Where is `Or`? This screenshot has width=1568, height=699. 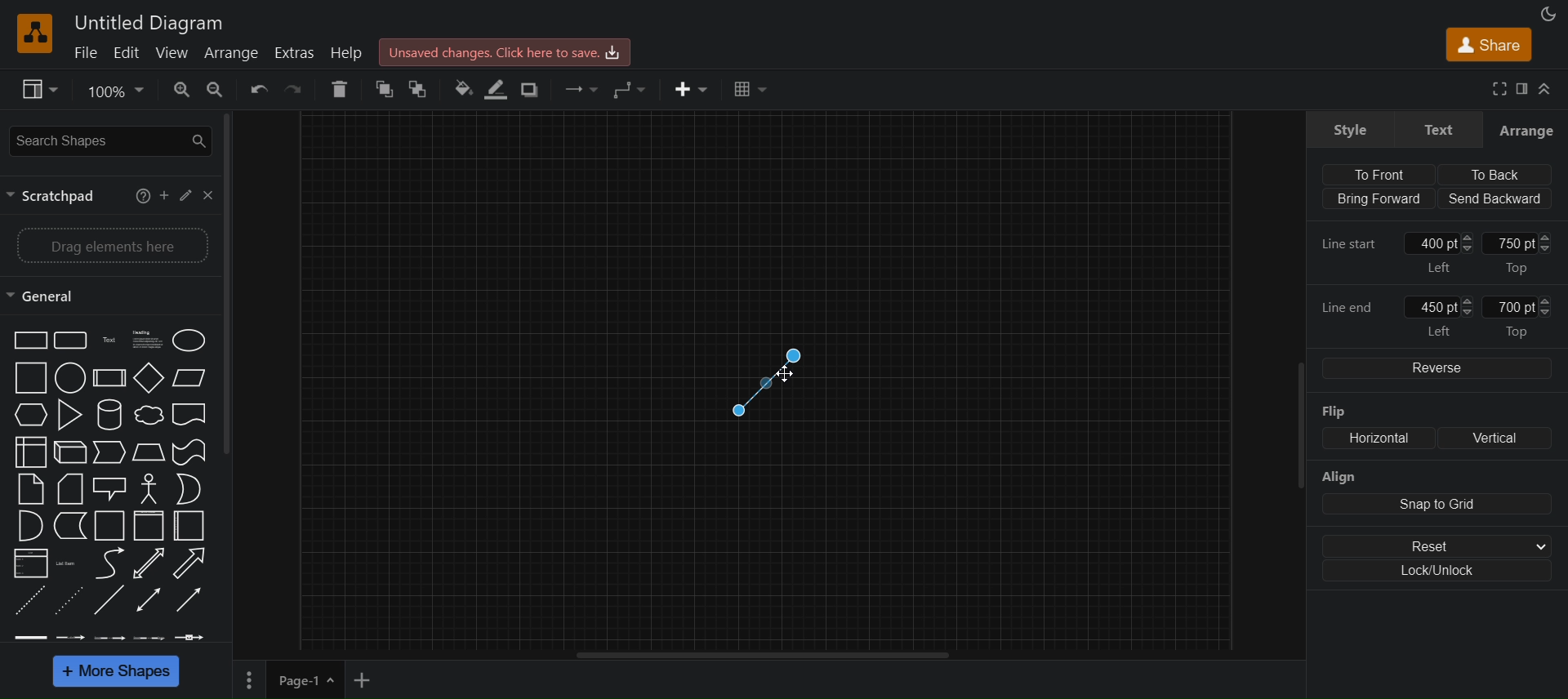
Or is located at coordinates (188, 489).